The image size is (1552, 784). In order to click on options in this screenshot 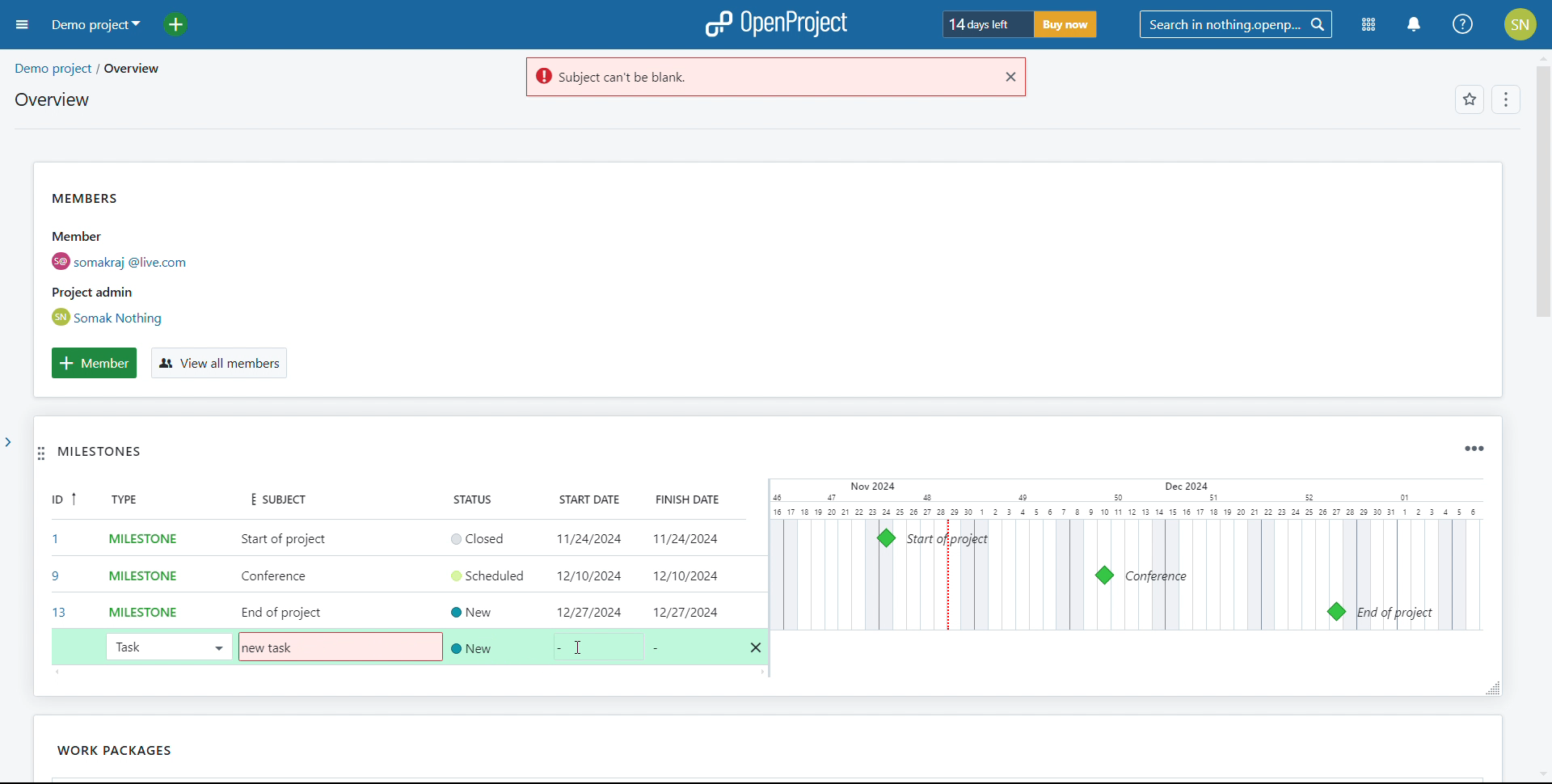, I will do `click(1503, 101)`.